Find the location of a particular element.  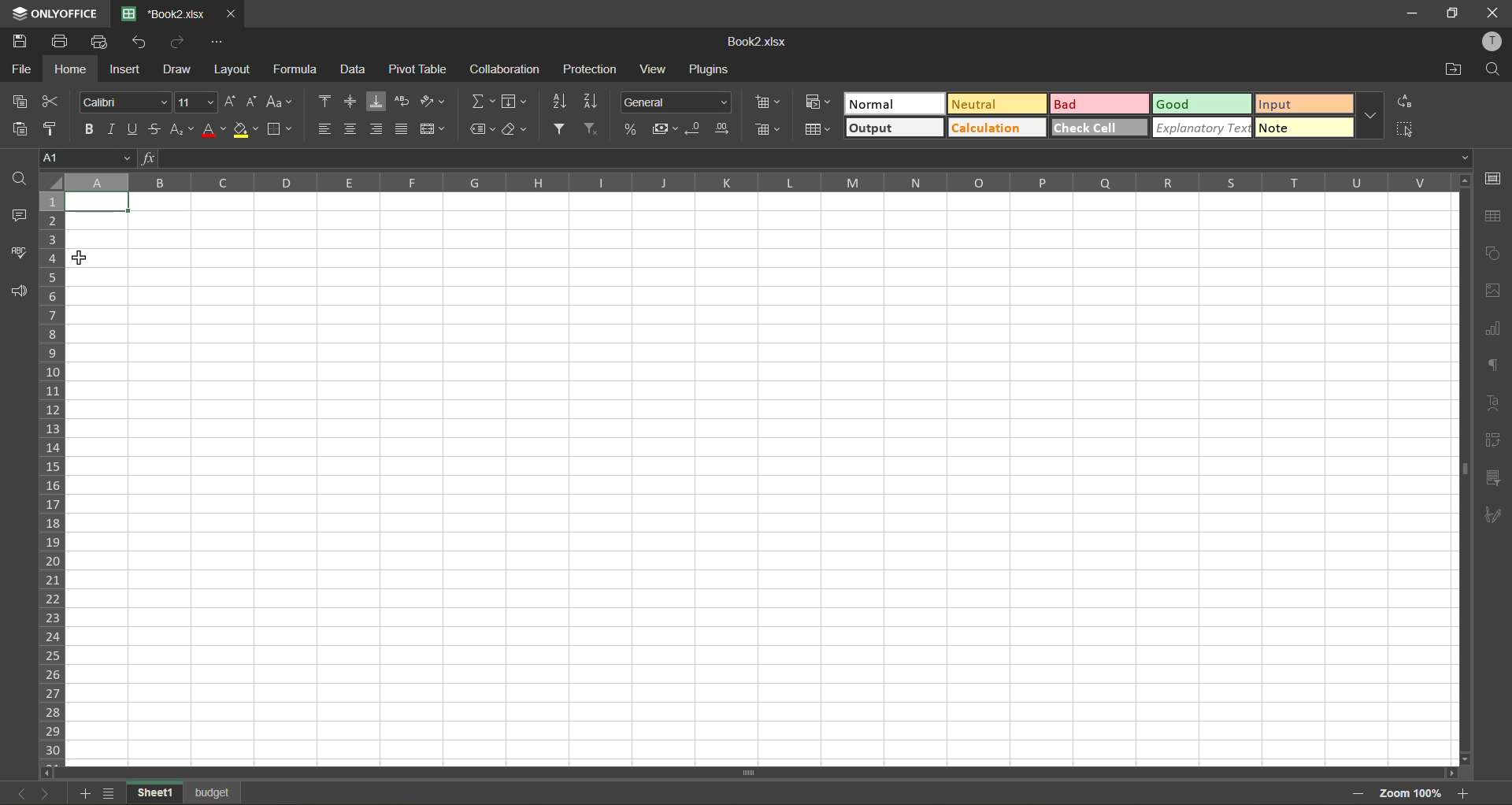

insert is located at coordinates (127, 71).